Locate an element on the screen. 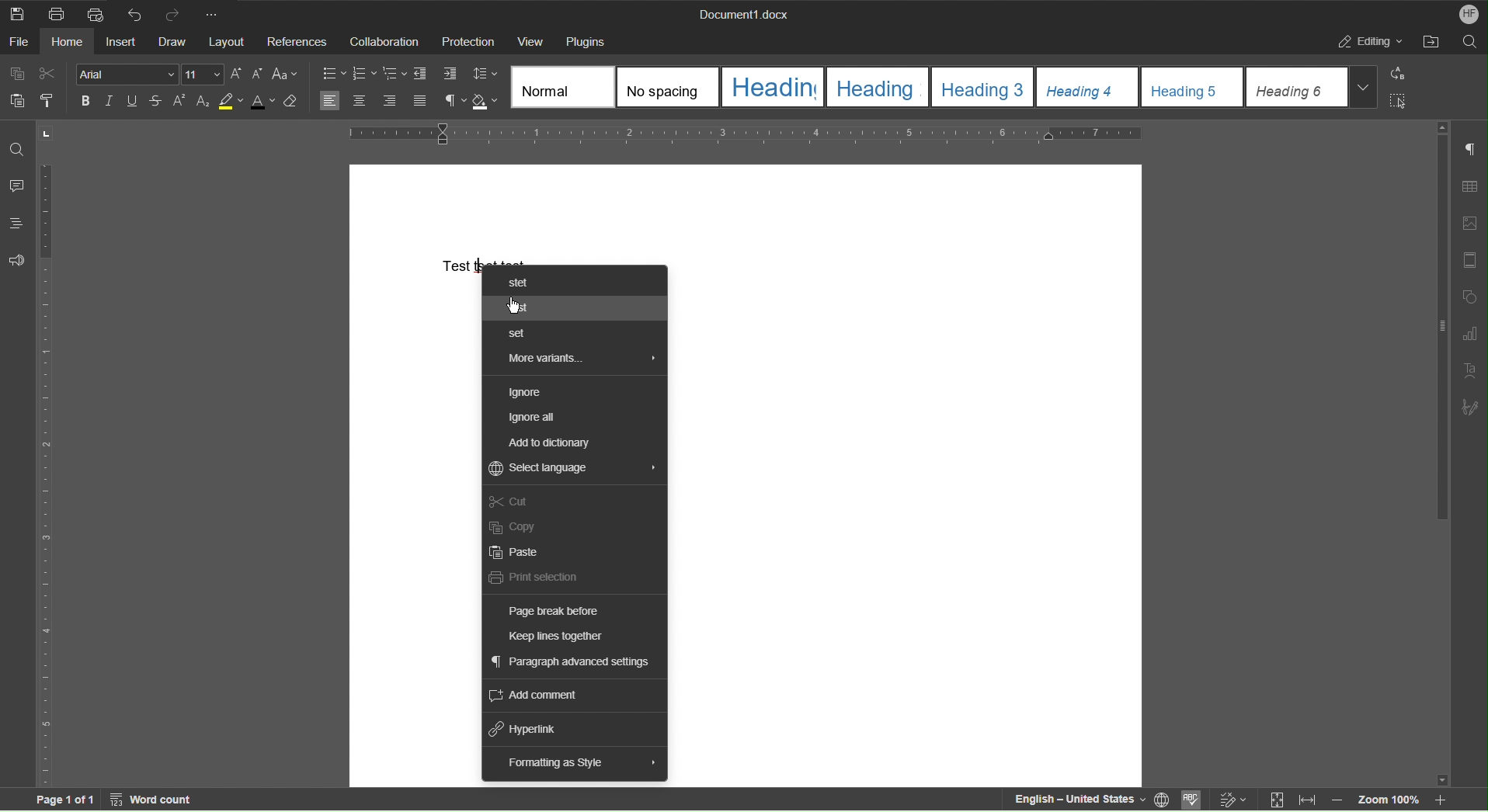 Image resolution: width=1488 pixels, height=812 pixels. Italics is located at coordinates (110, 102).